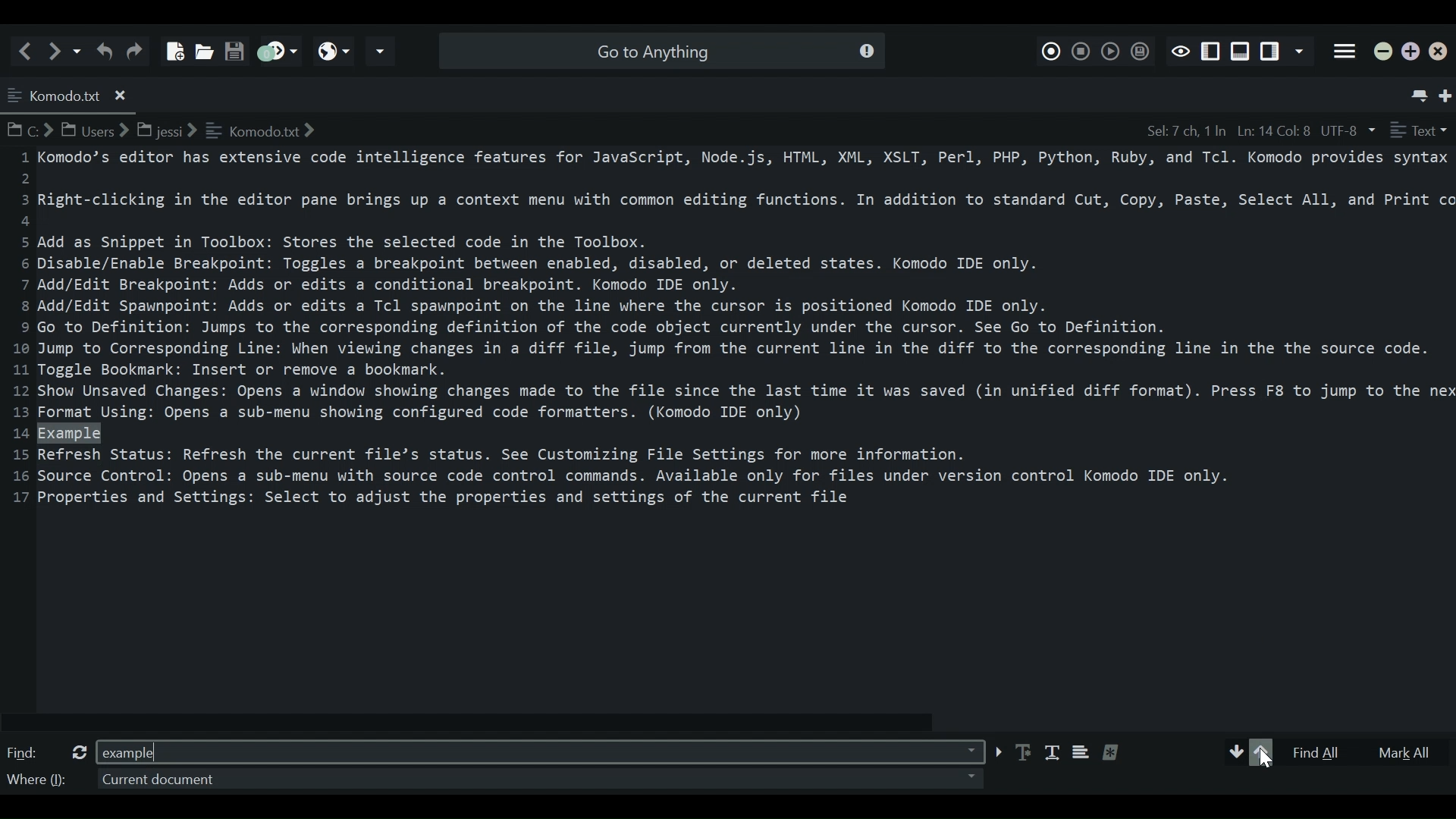 The image size is (1456, 819). Describe the element at coordinates (1239, 52) in the screenshot. I see `Show/Hide Pane Below` at that location.